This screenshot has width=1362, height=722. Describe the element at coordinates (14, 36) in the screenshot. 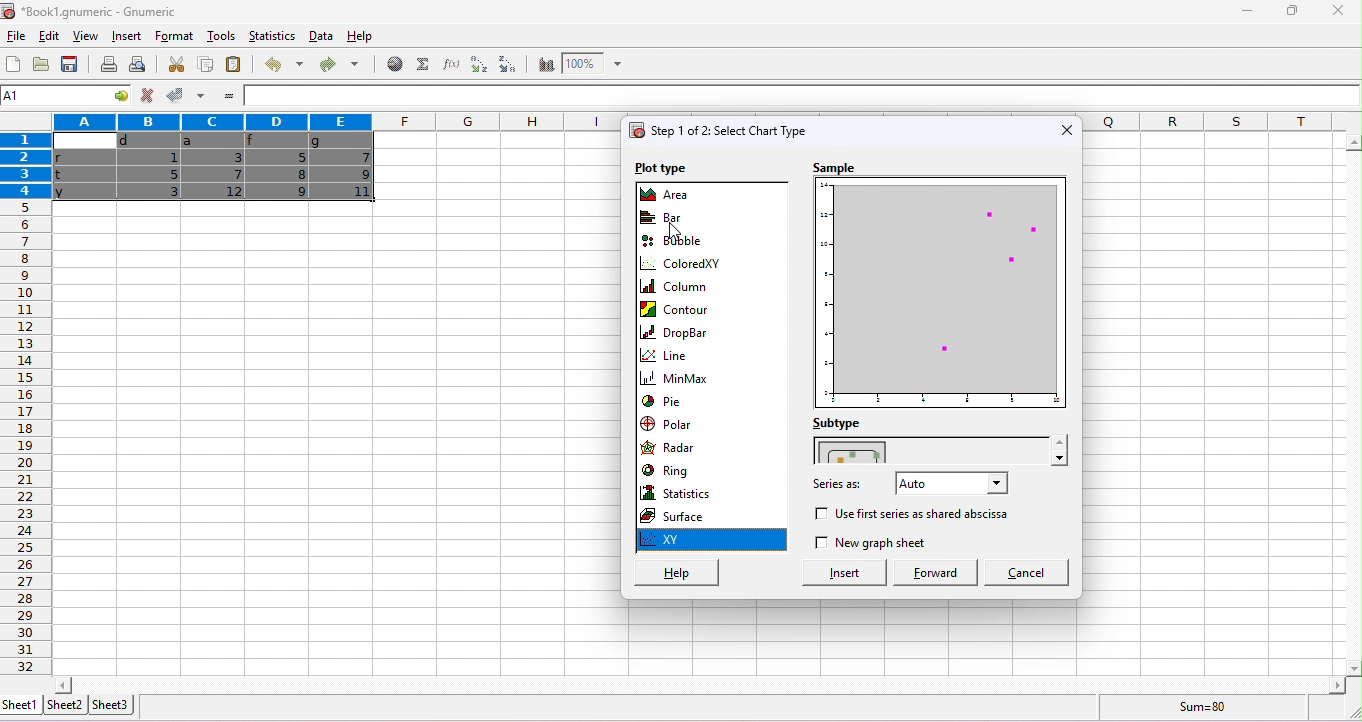

I see `file` at that location.